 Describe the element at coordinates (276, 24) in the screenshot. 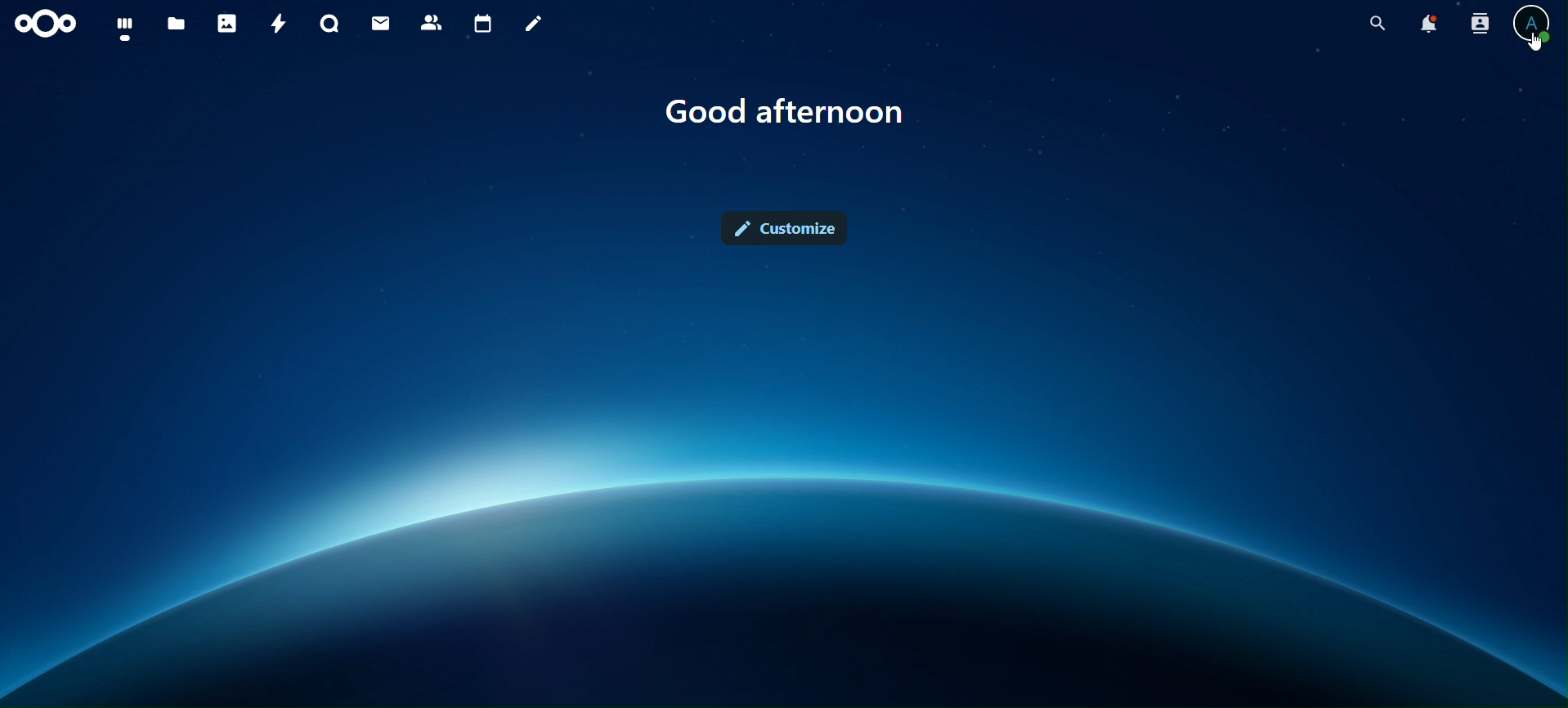

I see `activity` at that location.